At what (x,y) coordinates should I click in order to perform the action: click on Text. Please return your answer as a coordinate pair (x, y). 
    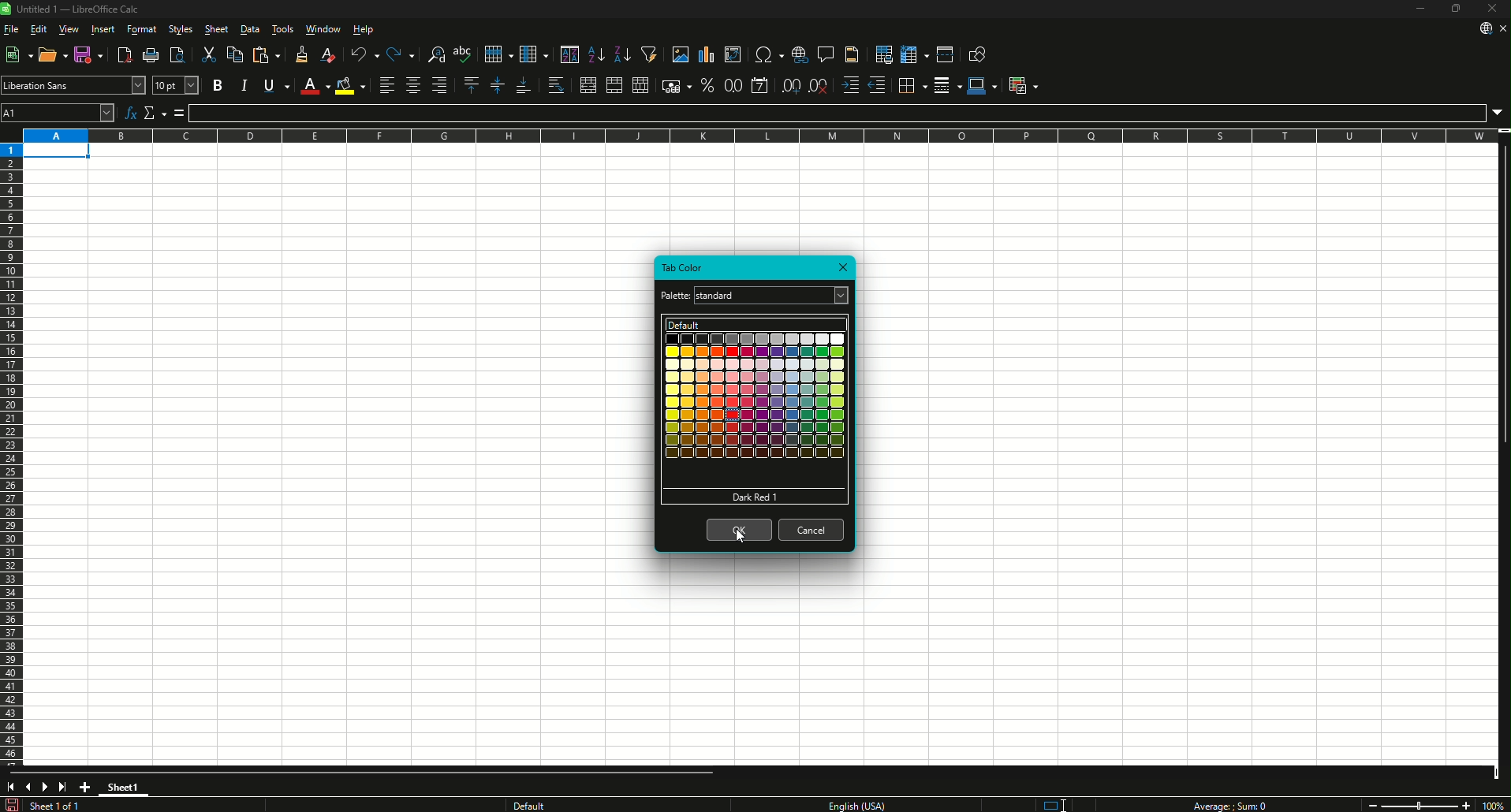
    Looking at the image, I should click on (58, 805).